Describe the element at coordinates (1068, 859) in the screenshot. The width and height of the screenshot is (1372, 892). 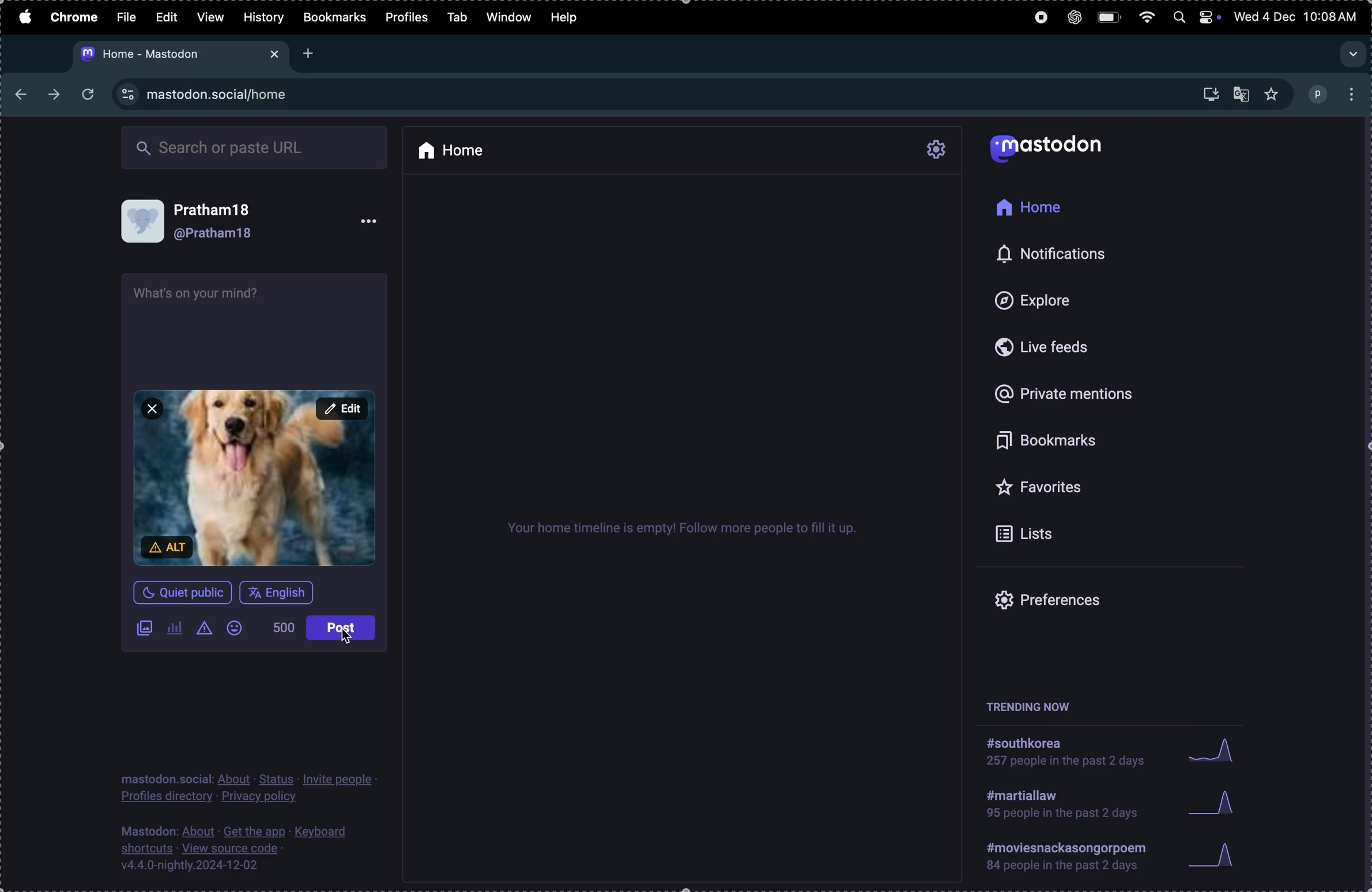
I see `trending ` at that location.